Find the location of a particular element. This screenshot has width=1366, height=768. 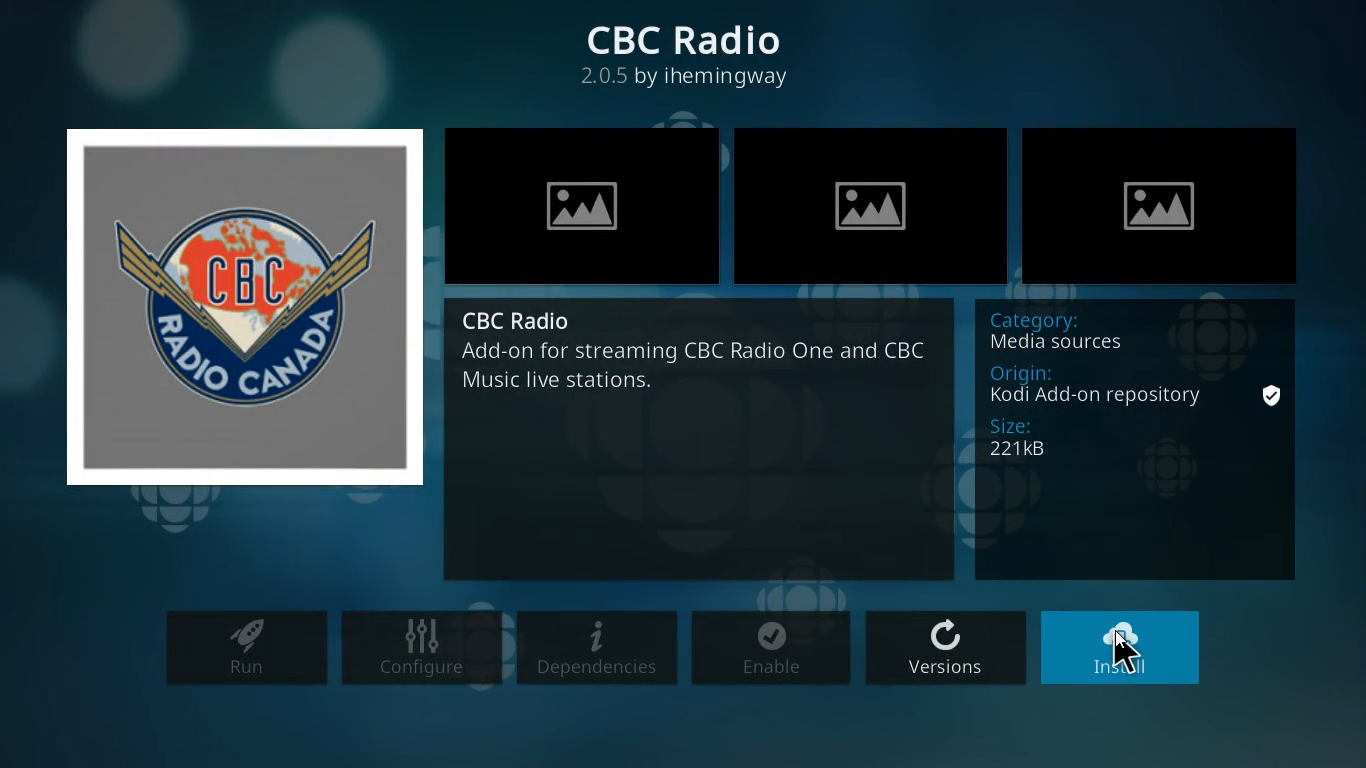

origin is located at coordinates (1100, 387).